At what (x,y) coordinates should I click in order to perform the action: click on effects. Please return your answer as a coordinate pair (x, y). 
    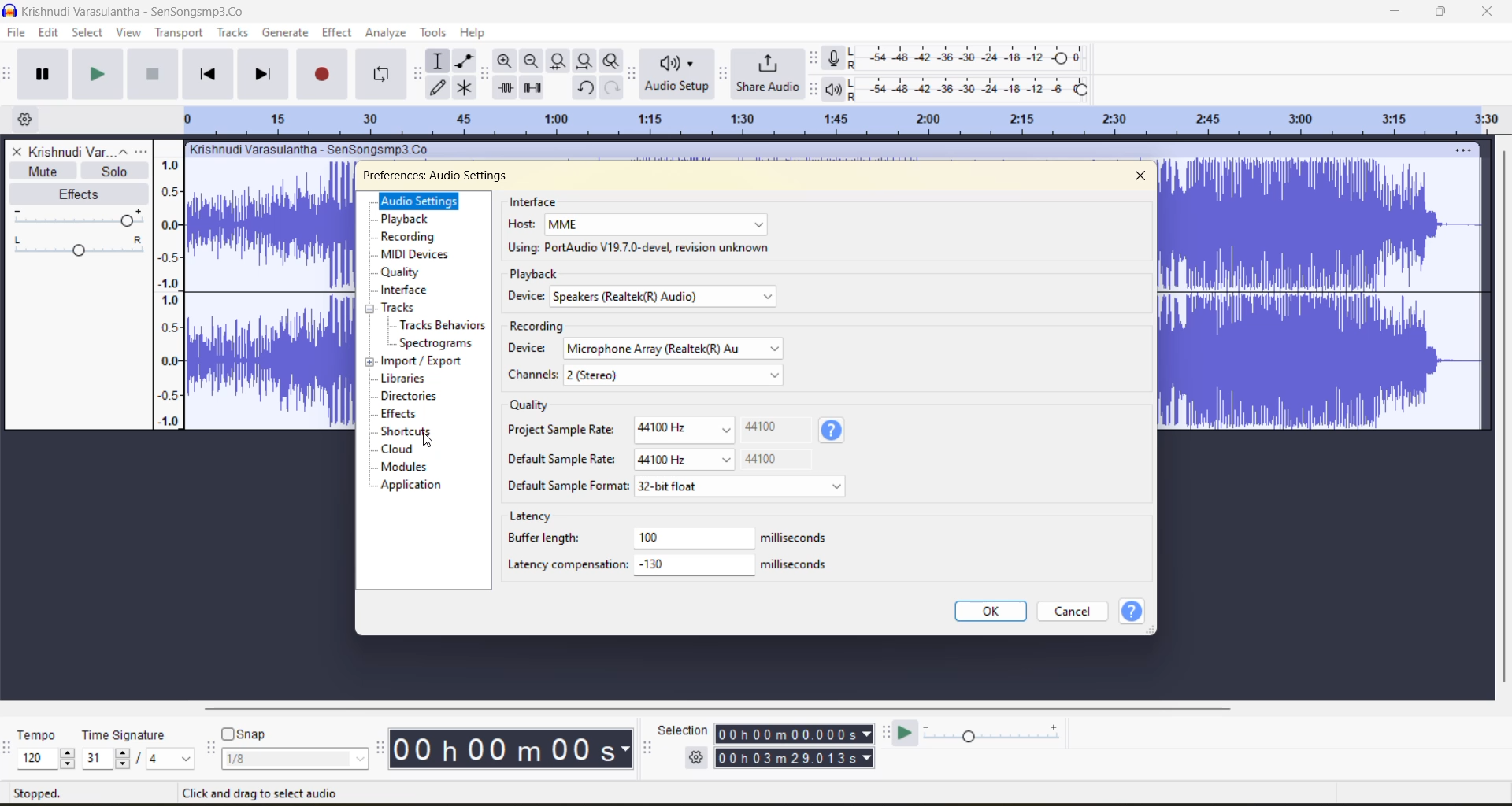
    Looking at the image, I should click on (83, 194).